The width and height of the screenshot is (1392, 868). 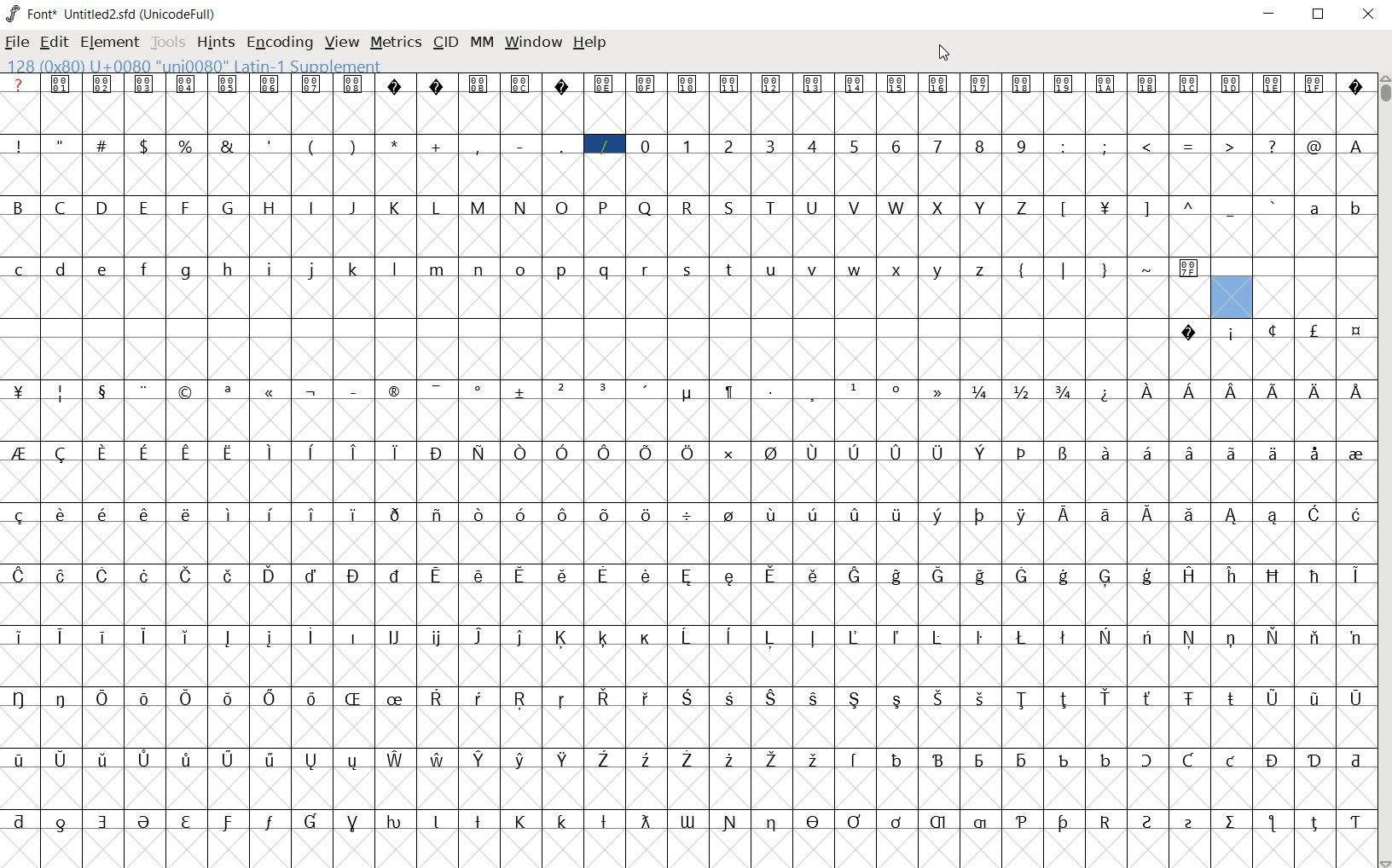 What do you see at coordinates (1232, 698) in the screenshot?
I see `glyph` at bounding box center [1232, 698].